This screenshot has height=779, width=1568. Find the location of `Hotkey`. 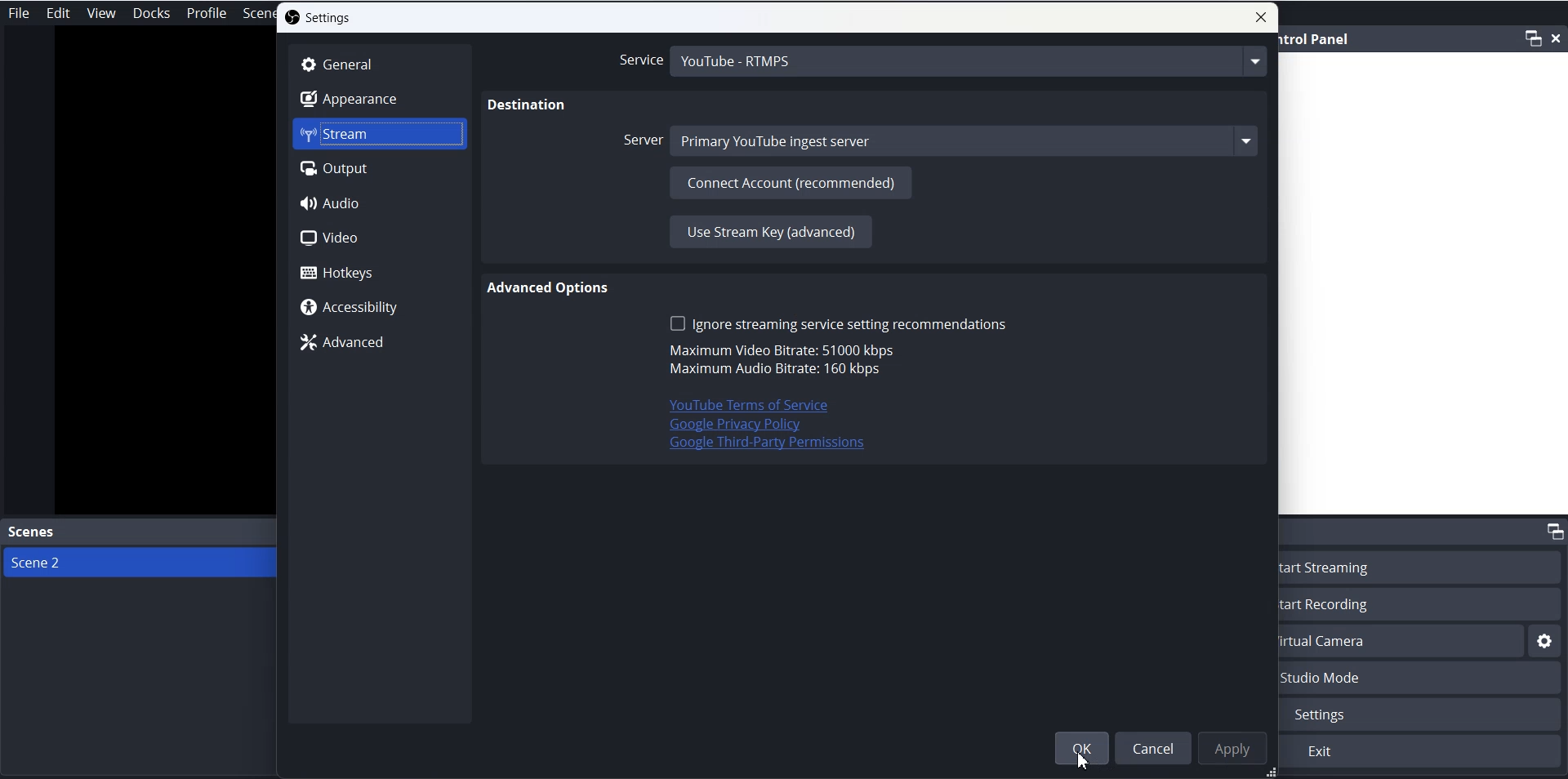

Hotkey is located at coordinates (379, 272).